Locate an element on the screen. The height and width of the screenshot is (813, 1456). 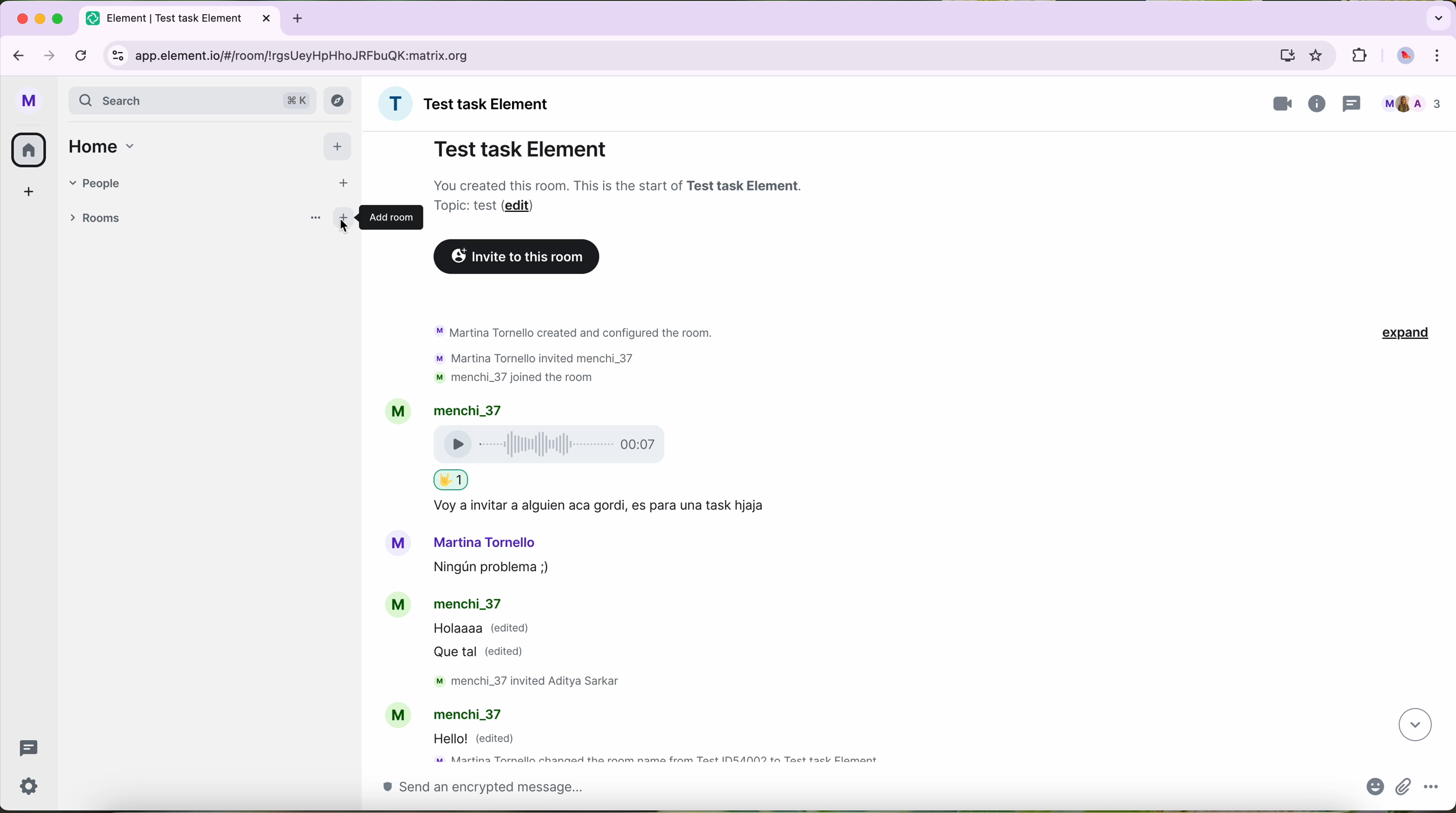
attach file is located at coordinates (1404, 788).